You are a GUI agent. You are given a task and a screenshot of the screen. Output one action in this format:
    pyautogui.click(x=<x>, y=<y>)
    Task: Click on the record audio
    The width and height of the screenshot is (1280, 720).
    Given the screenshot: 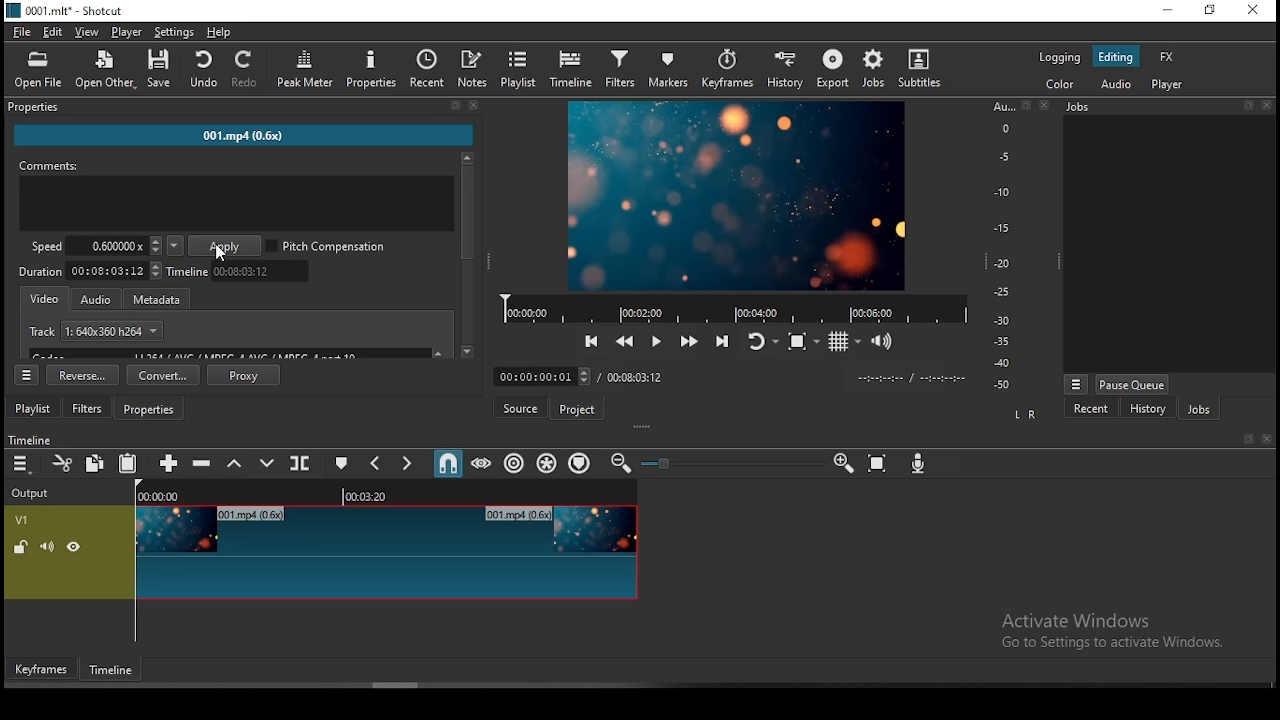 What is the action you would take?
    pyautogui.click(x=918, y=462)
    